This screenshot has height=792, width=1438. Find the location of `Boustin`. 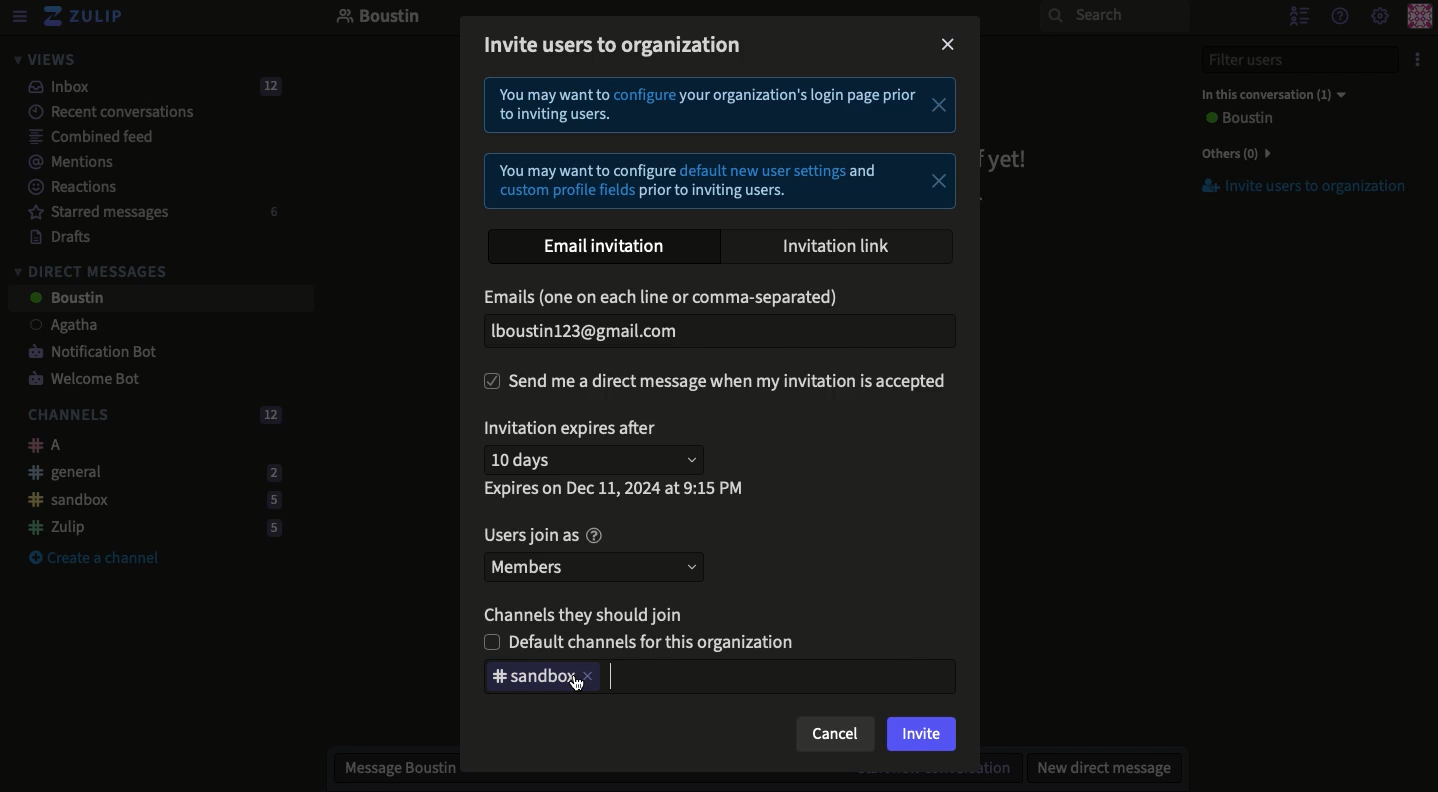

Boustin is located at coordinates (379, 18).